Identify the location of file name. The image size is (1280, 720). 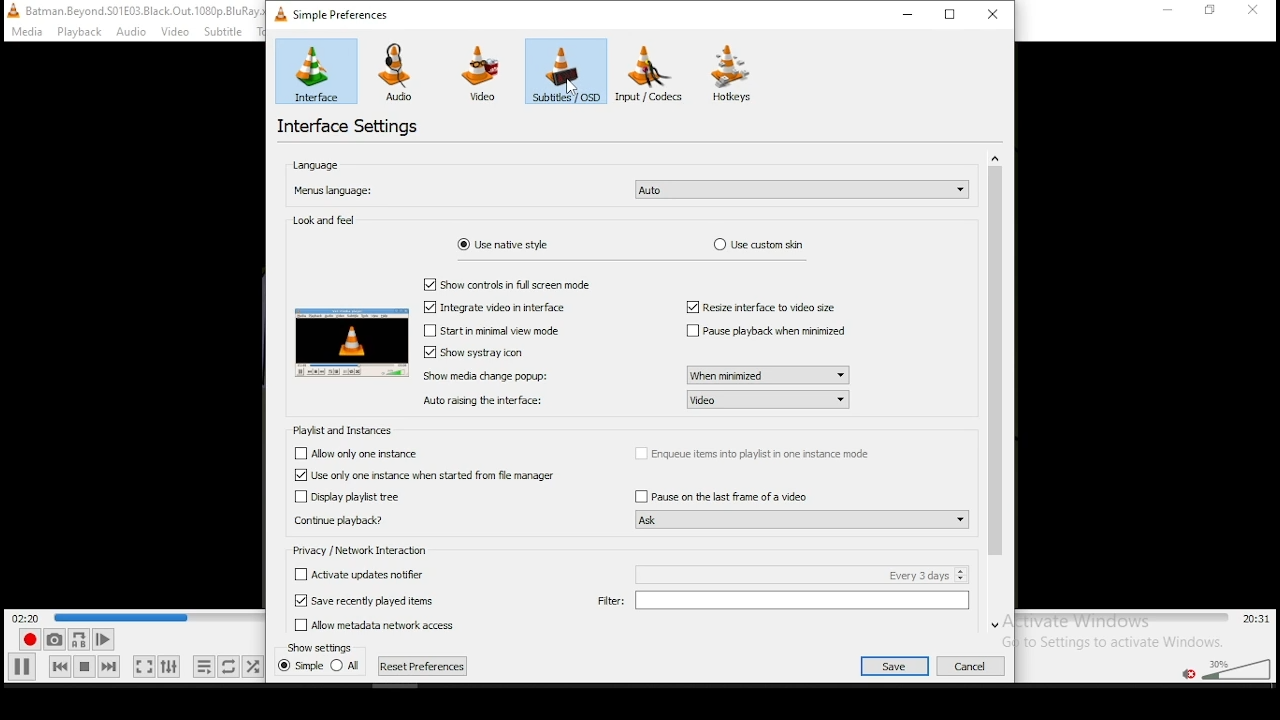
(146, 10).